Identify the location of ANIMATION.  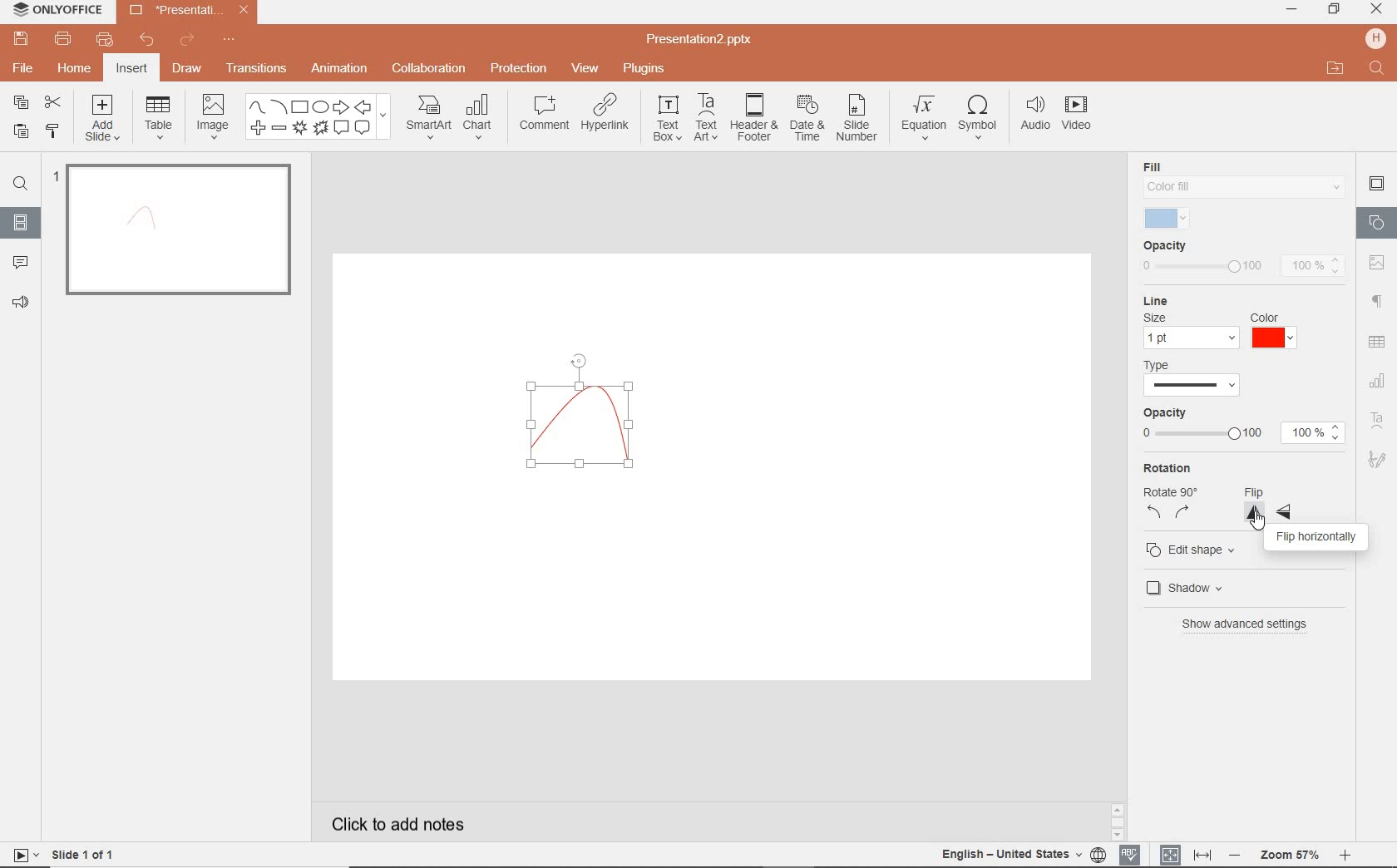
(343, 69).